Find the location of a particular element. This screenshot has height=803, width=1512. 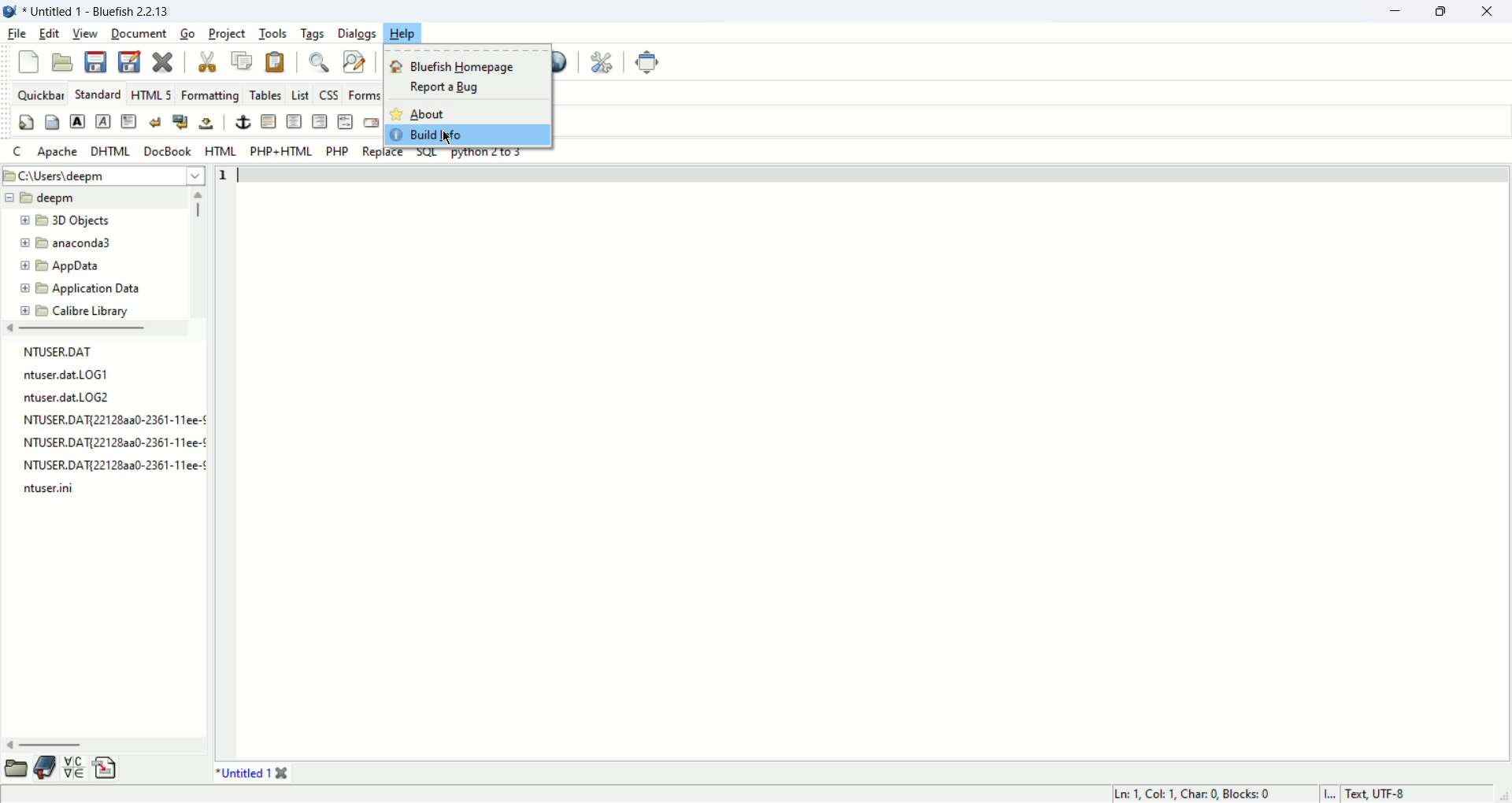

center is located at coordinates (294, 121).